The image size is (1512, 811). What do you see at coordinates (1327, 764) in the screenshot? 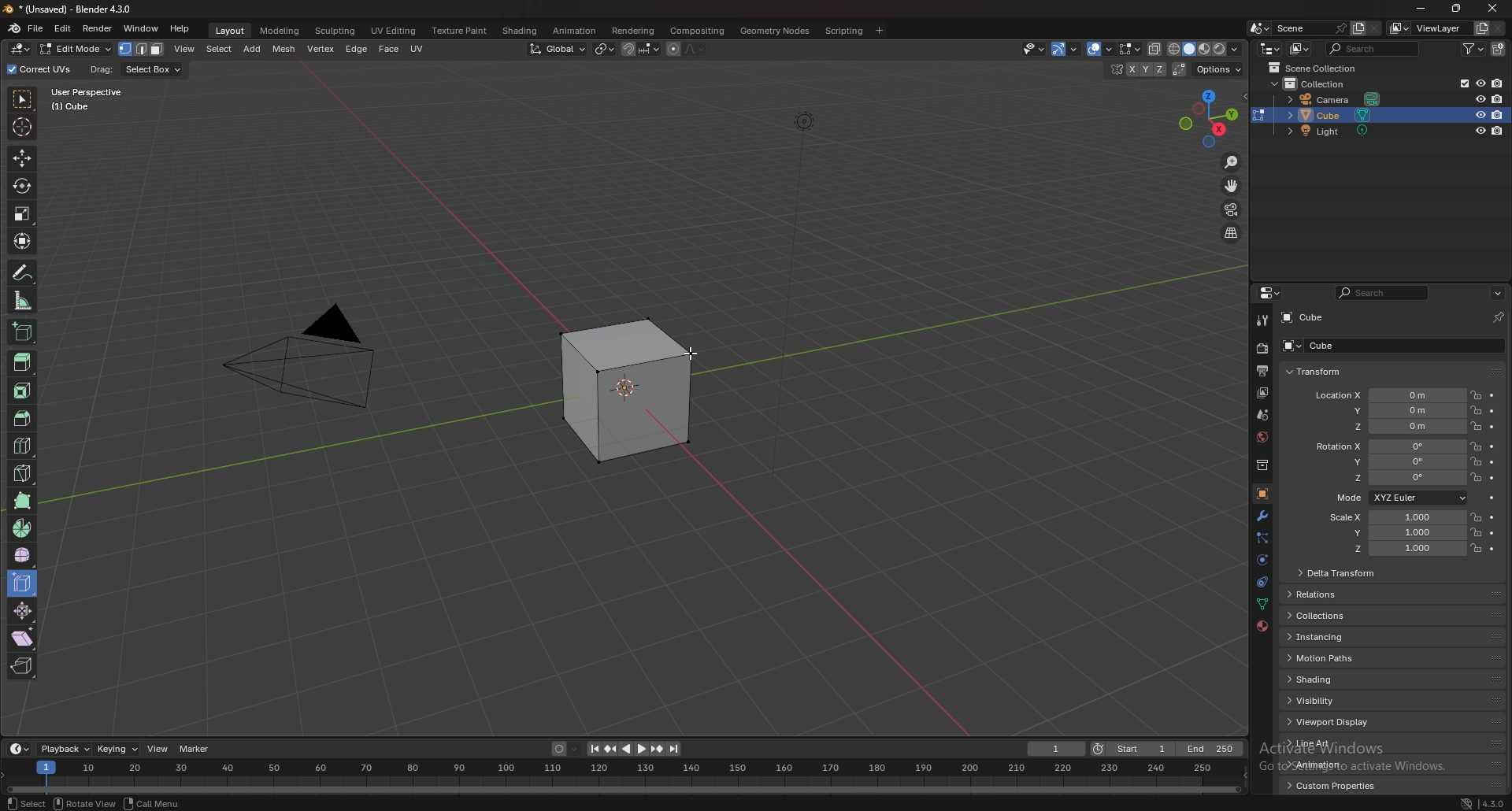
I see `animation` at bounding box center [1327, 764].